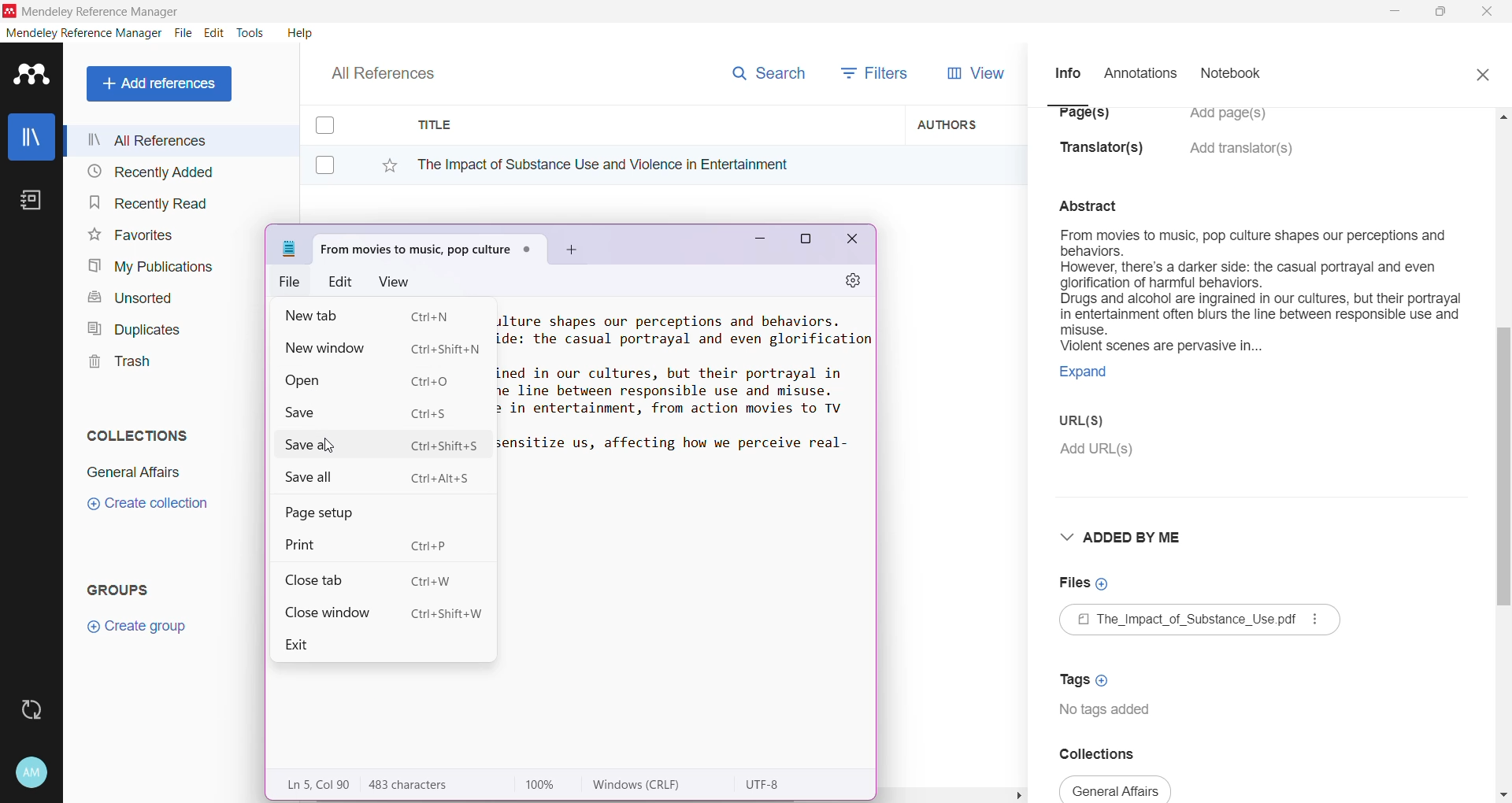 Image resolution: width=1512 pixels, height=803 pixels. I want to click on Default title, so click(430, 246).